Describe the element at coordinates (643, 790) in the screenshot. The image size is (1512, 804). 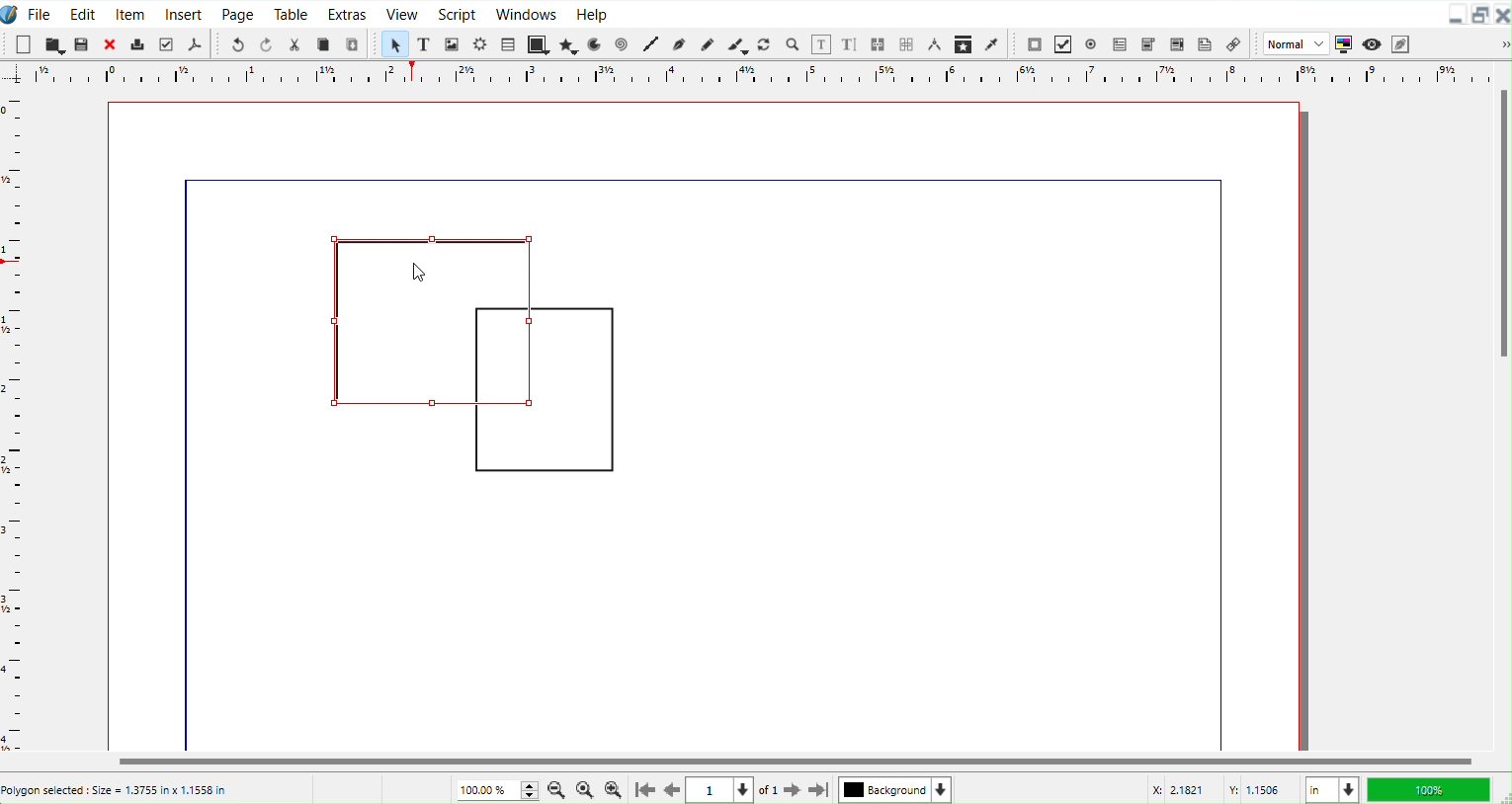
I see `Go to First Page` at that location.